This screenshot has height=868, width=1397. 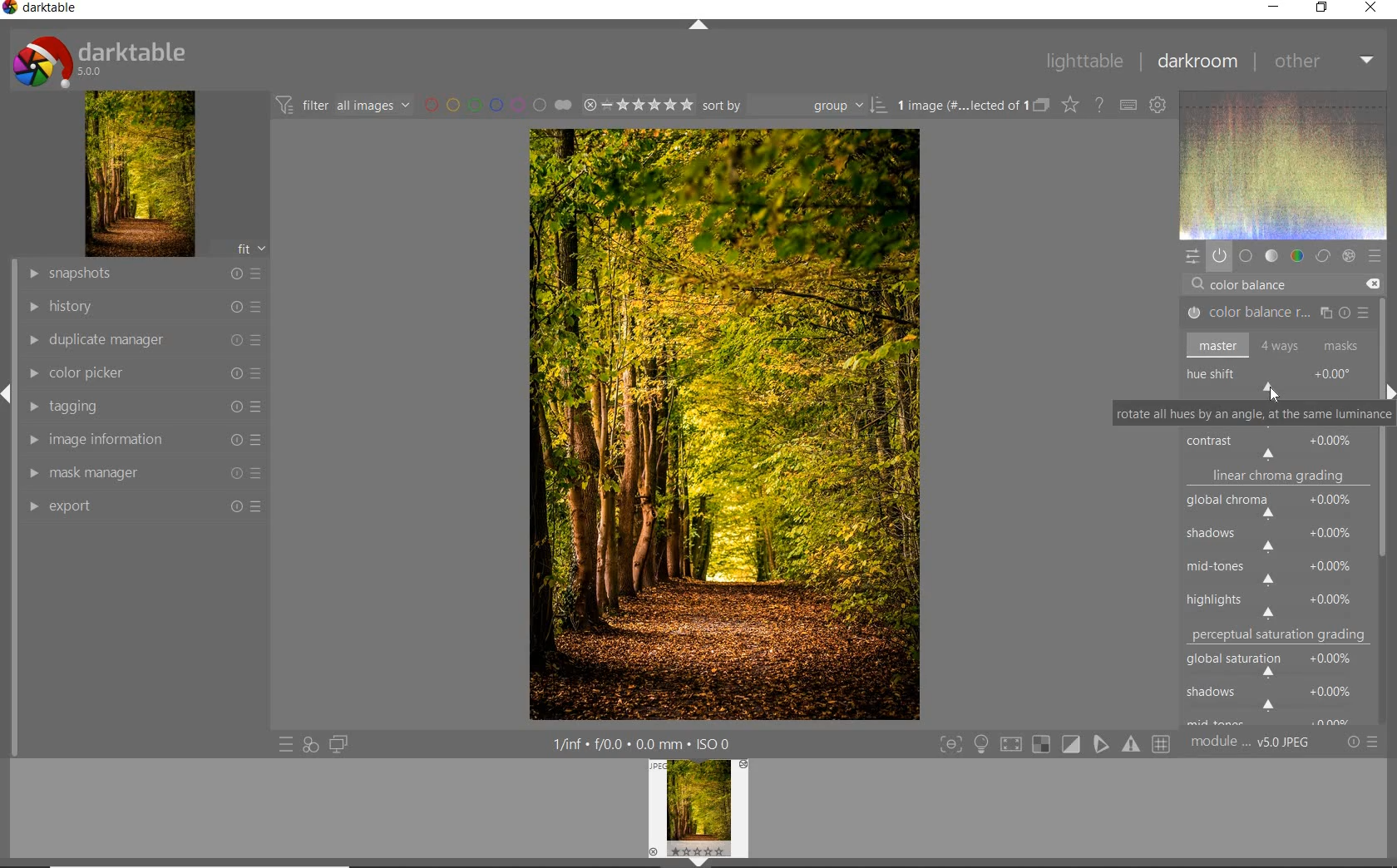 What do you see at coordinates (1250, 744) in the screenshot?
I see `module order` at bounding box center [1250, 744].